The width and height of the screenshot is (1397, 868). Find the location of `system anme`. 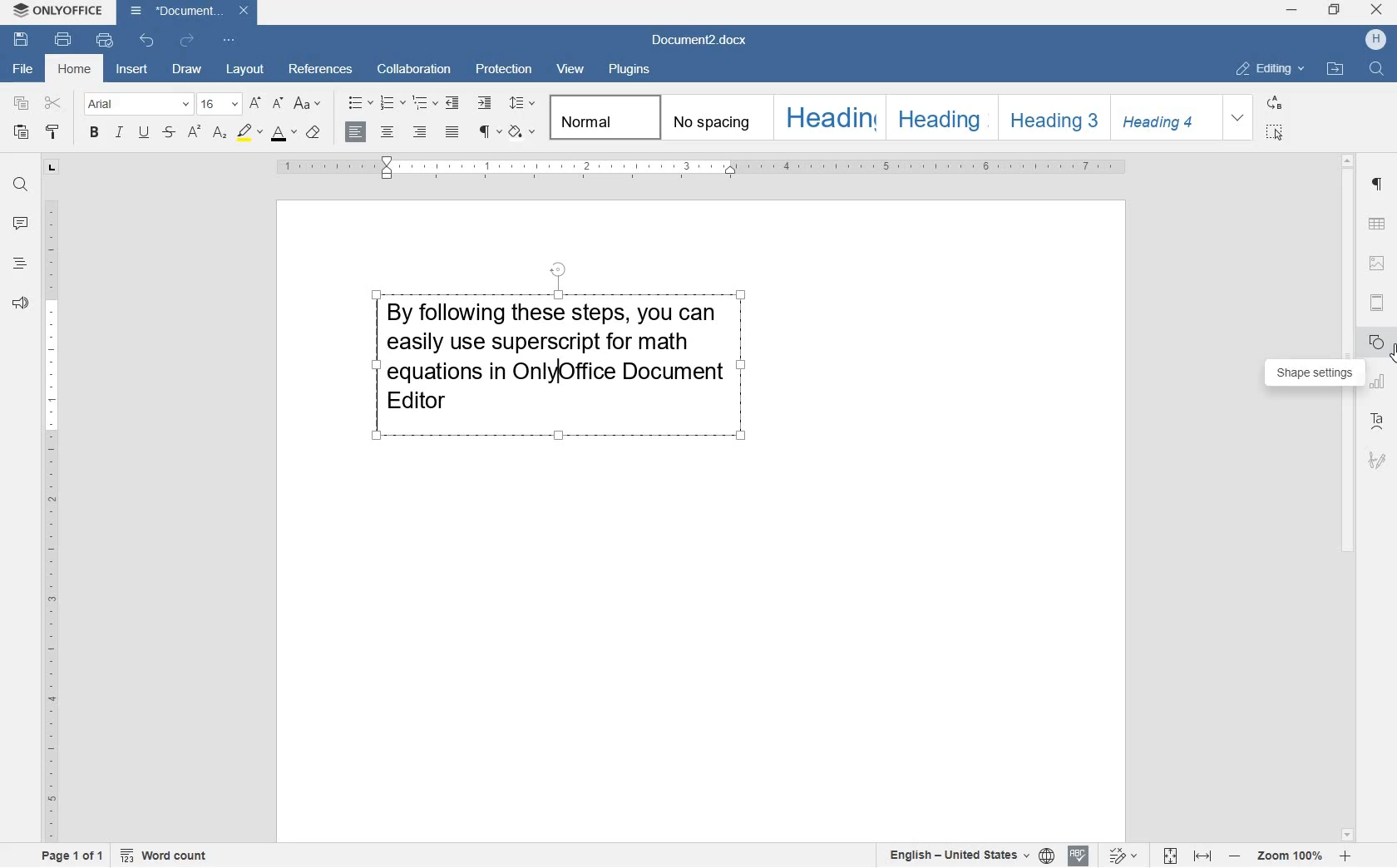

system anme is located at coordinates (58, 11).